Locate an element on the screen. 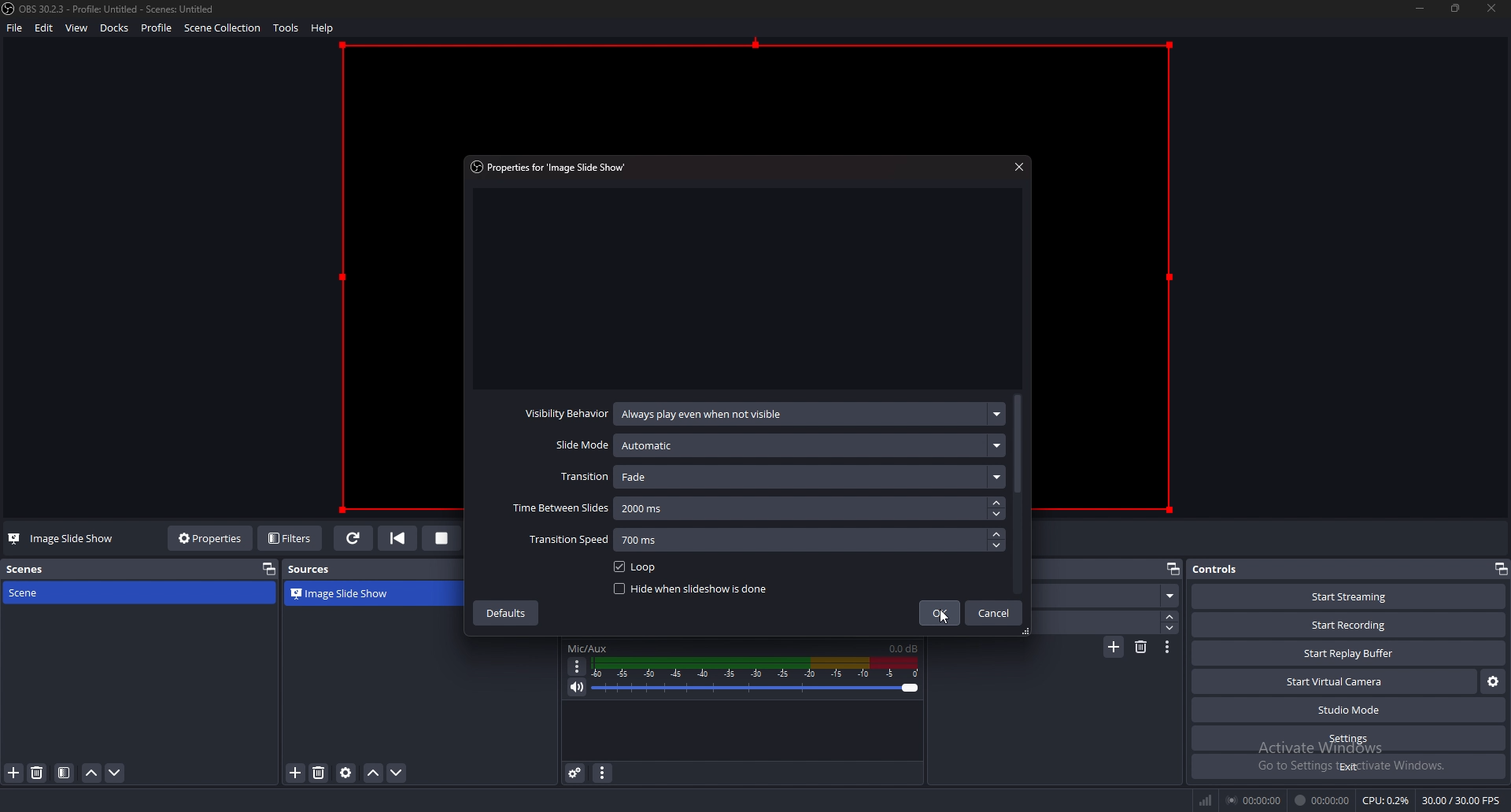  move scene up is located at coordinates (93, 773).